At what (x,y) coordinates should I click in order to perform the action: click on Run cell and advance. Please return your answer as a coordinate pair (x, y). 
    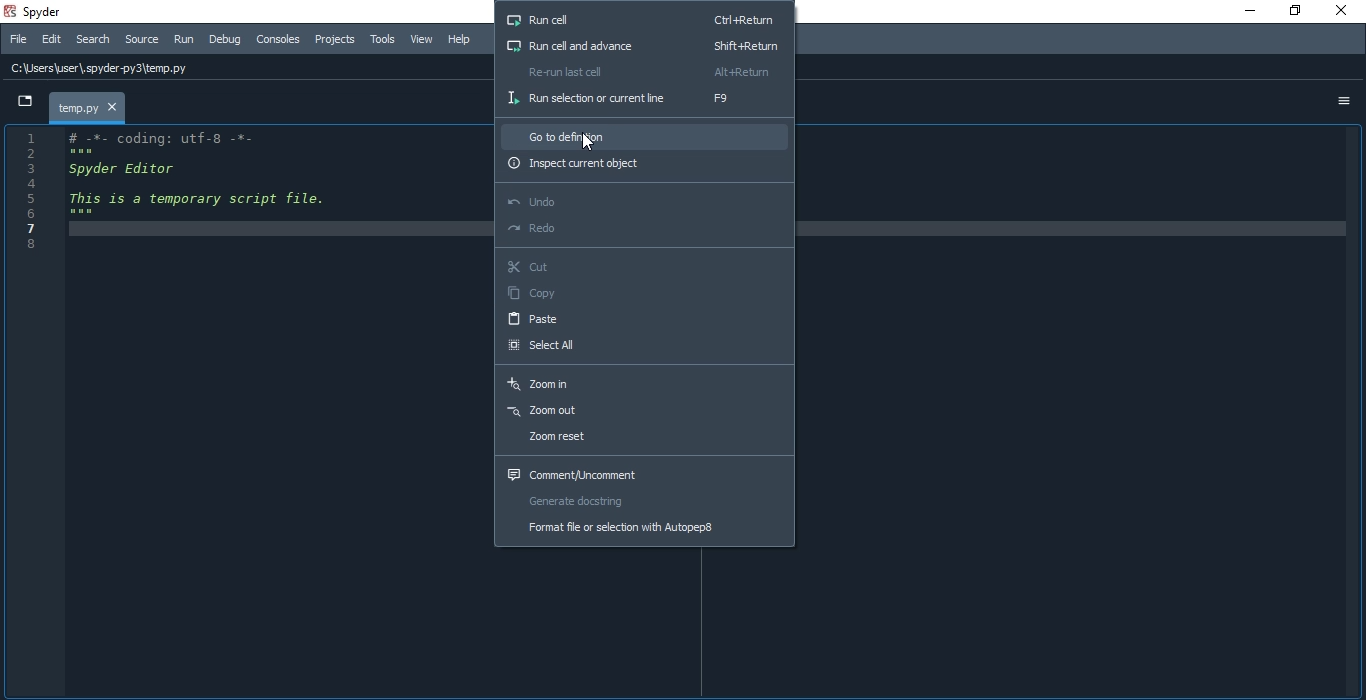
    Looking at the image, I should click on (644, 43).